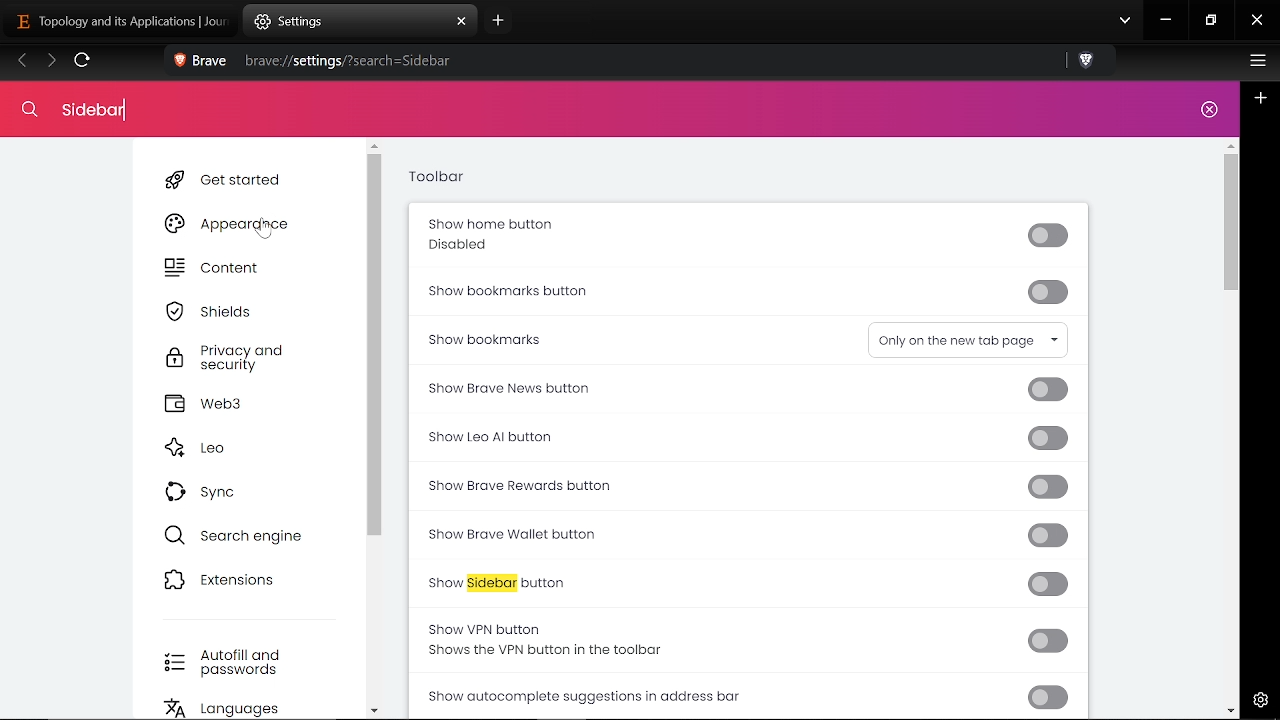  Describe the element at coordinates (231, 580) in the screenshot. I see `Extensions` at that location.